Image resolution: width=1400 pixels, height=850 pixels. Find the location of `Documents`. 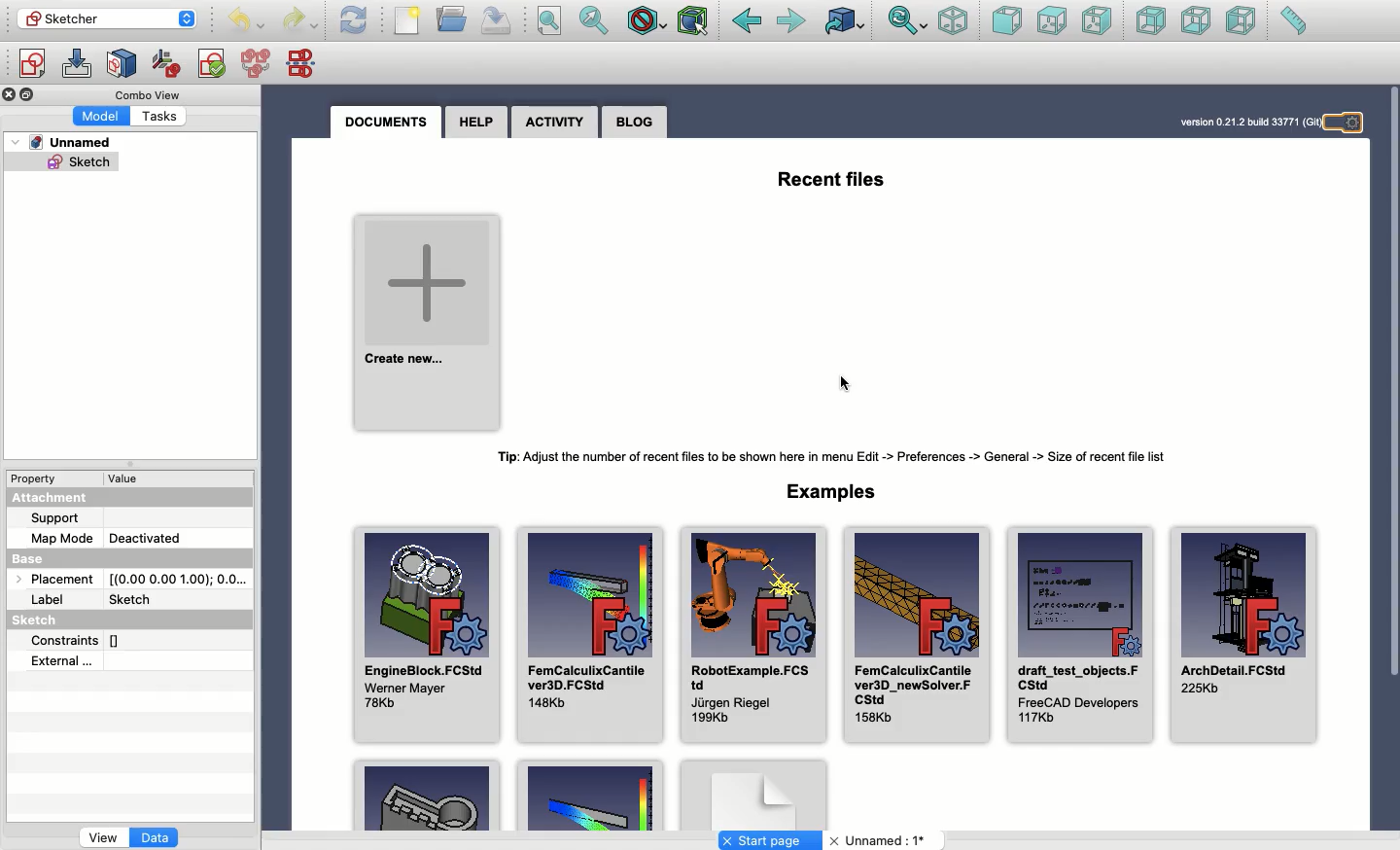

Documents is located at coordinates (384, 122).